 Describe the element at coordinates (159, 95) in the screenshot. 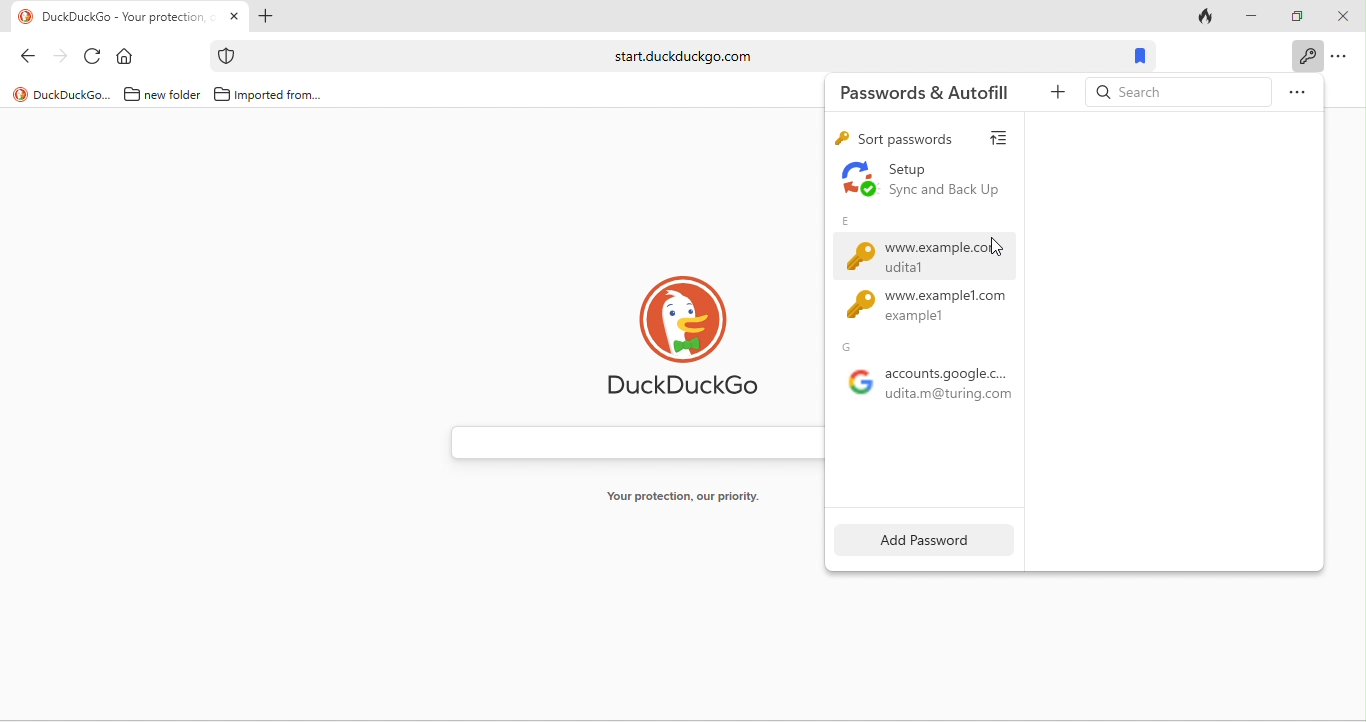

I see `new folder` at that location.